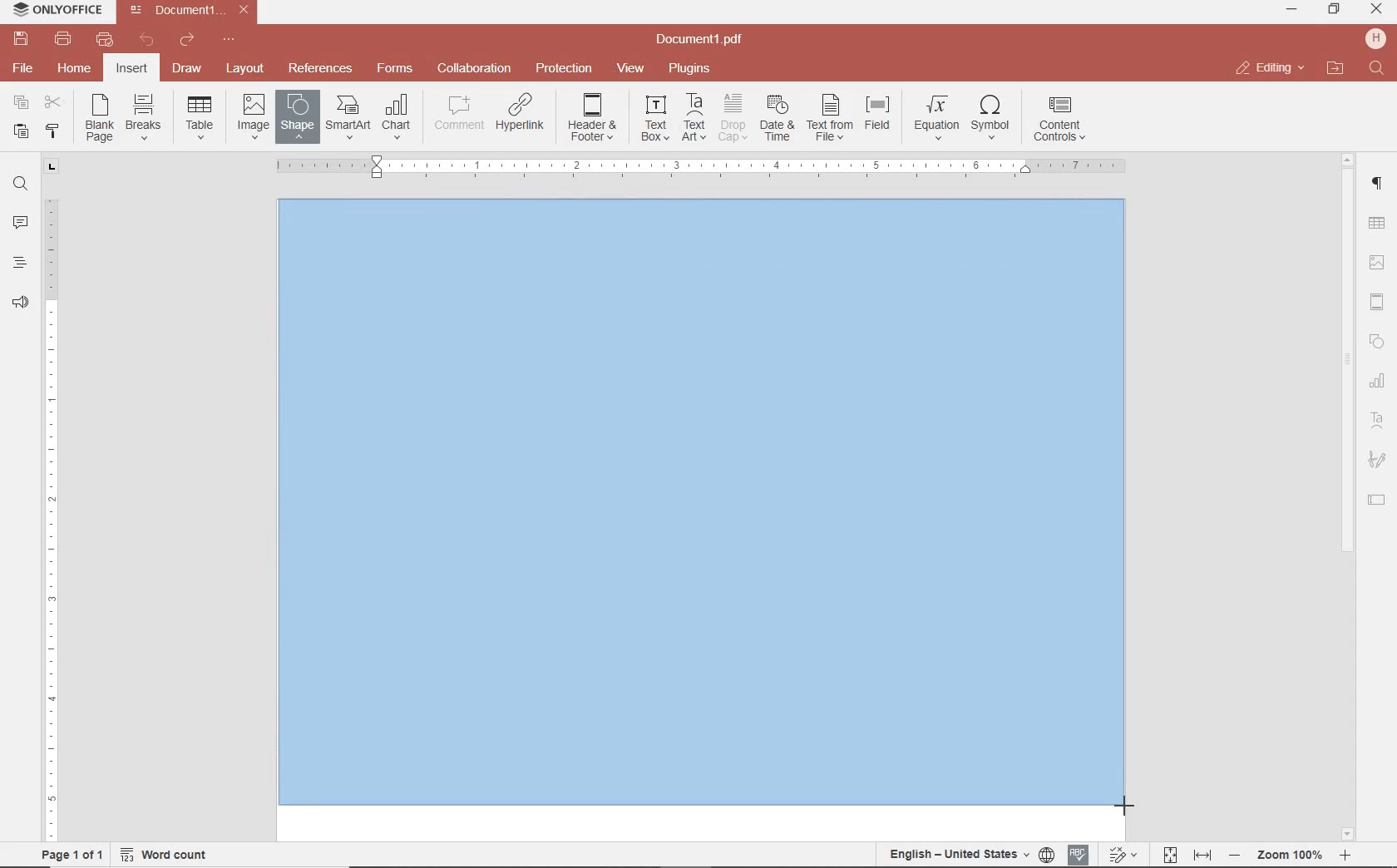 The image size is (1397, 868). What do you see at coordinates (395, 68) in the screenshot?
I see `forms` at bounding box center [395, 68].